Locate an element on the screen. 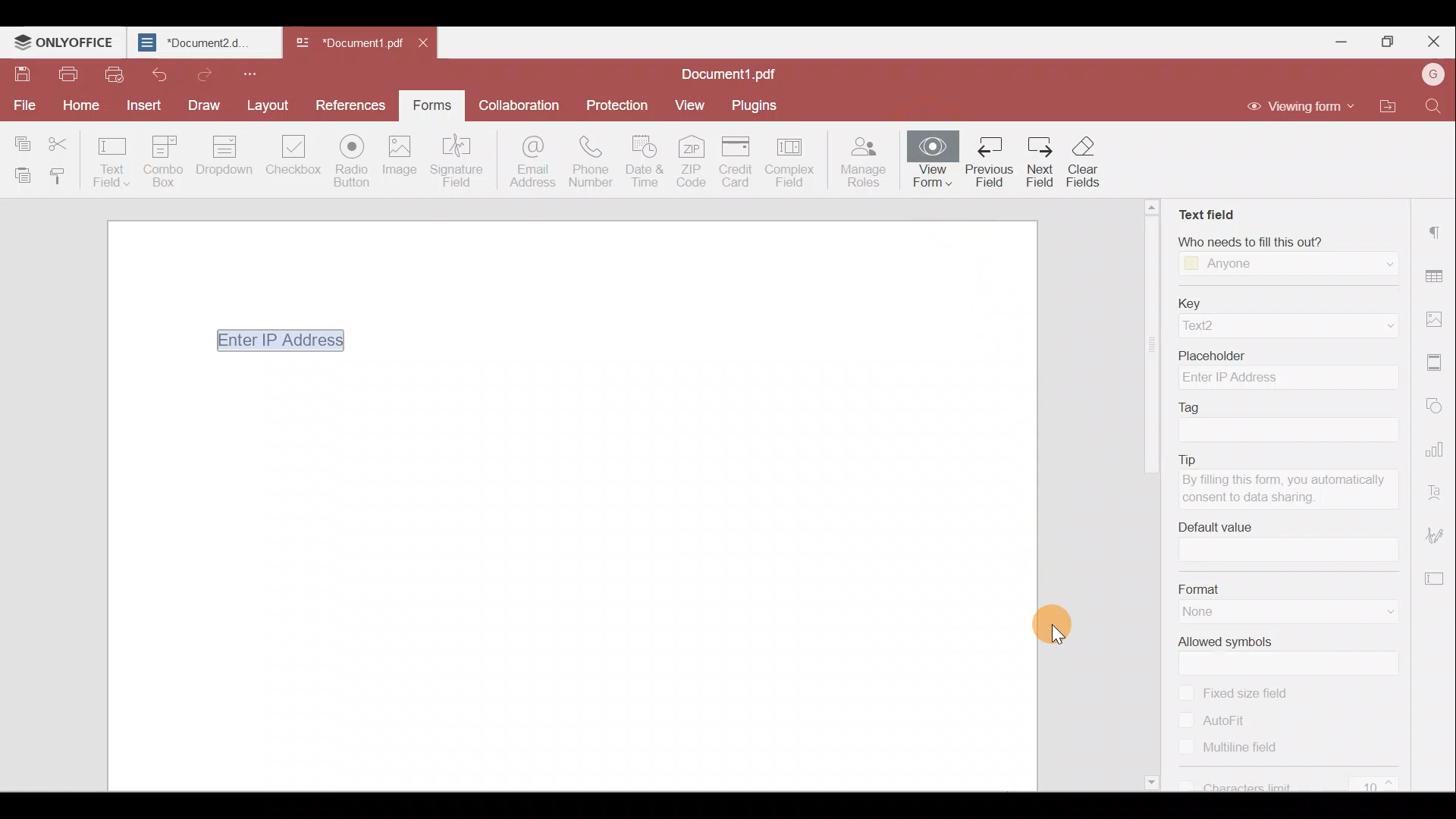 This screenshot has width=1456, height=819. Collaboration is located at coordinates (524, 104).